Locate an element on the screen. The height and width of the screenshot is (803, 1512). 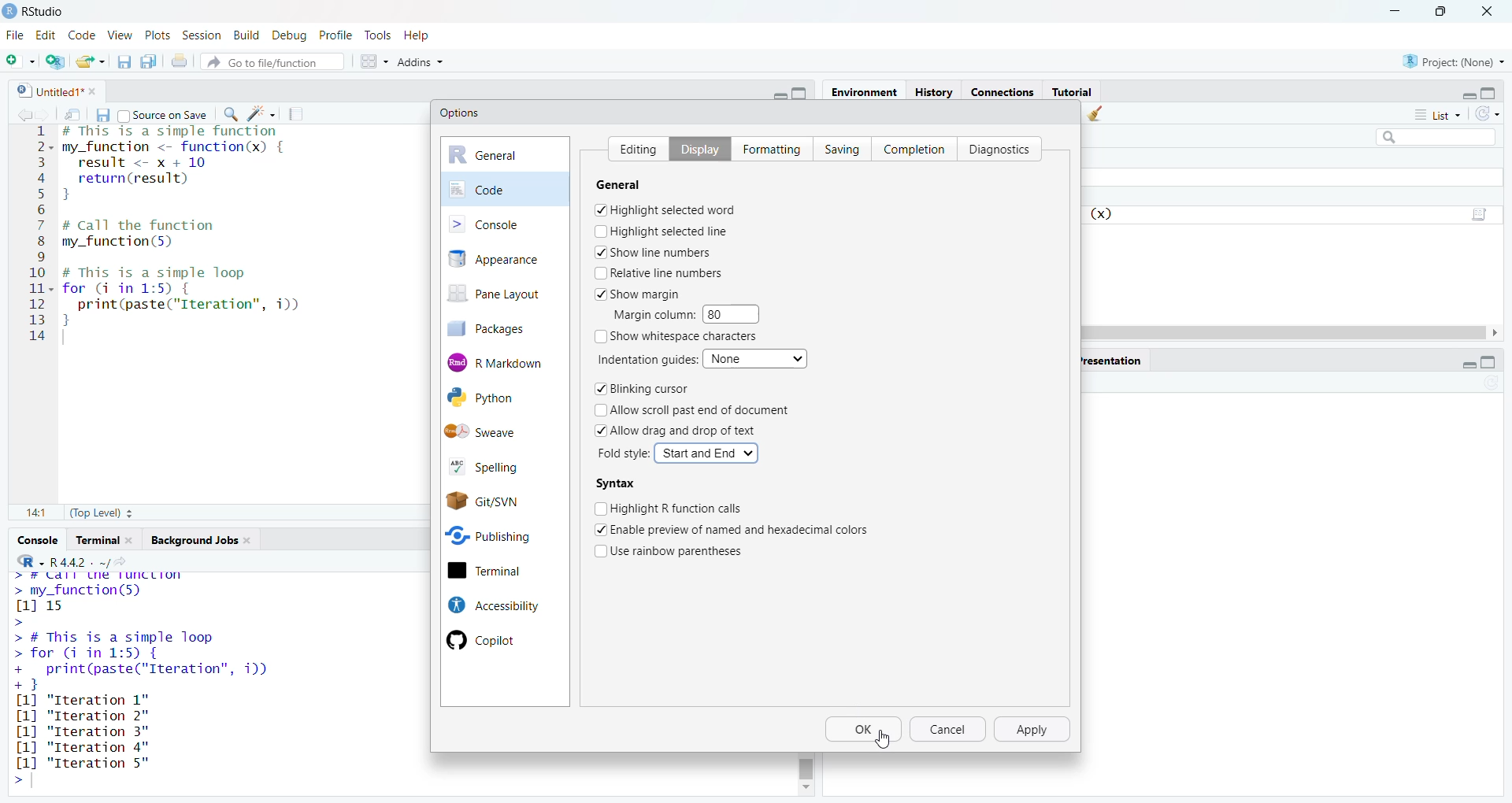
code to call the function is located at coordinates (175, 235).